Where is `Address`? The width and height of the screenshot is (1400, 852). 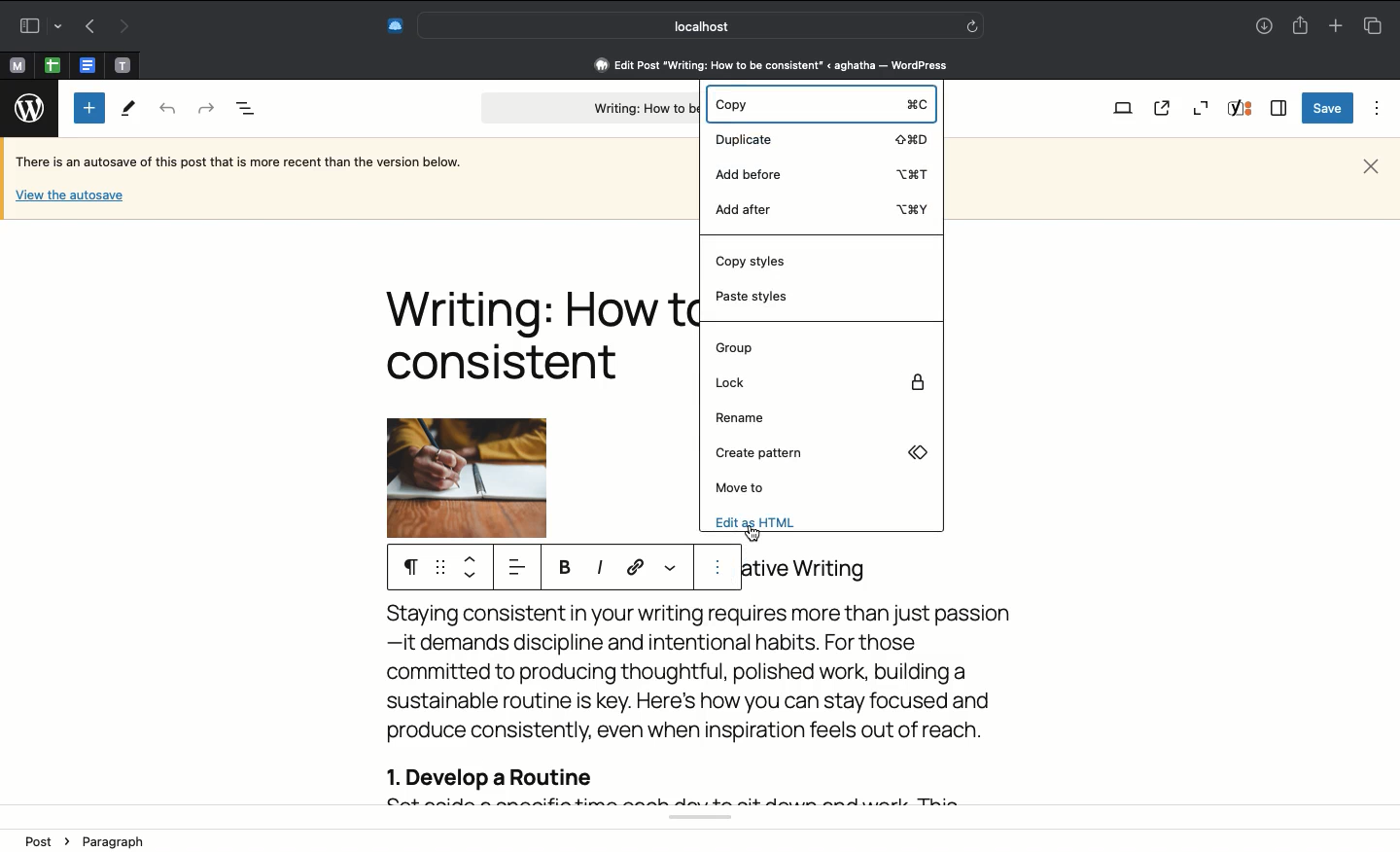
Address is located at coordinates (758, 65).